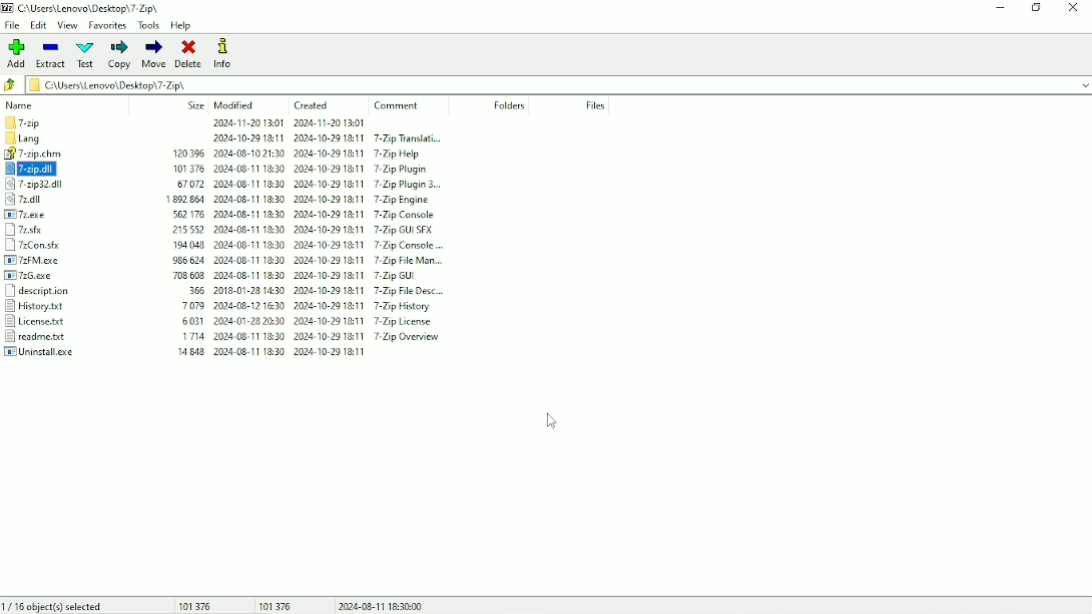 The image size is (1092, 614). I want to click on Files, so click(596, 105).